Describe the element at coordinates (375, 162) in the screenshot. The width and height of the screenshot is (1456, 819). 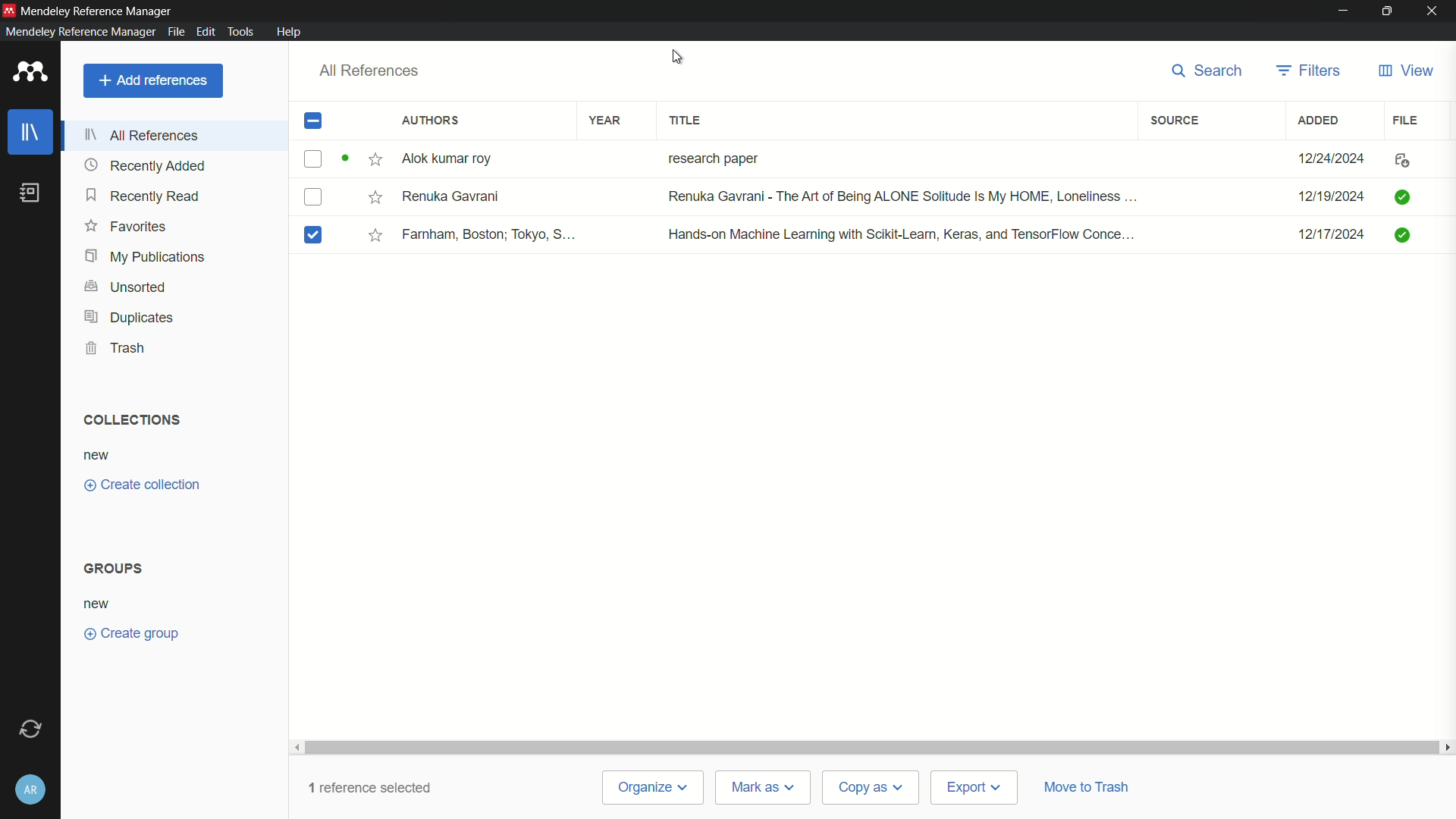
I see `star` at that location.